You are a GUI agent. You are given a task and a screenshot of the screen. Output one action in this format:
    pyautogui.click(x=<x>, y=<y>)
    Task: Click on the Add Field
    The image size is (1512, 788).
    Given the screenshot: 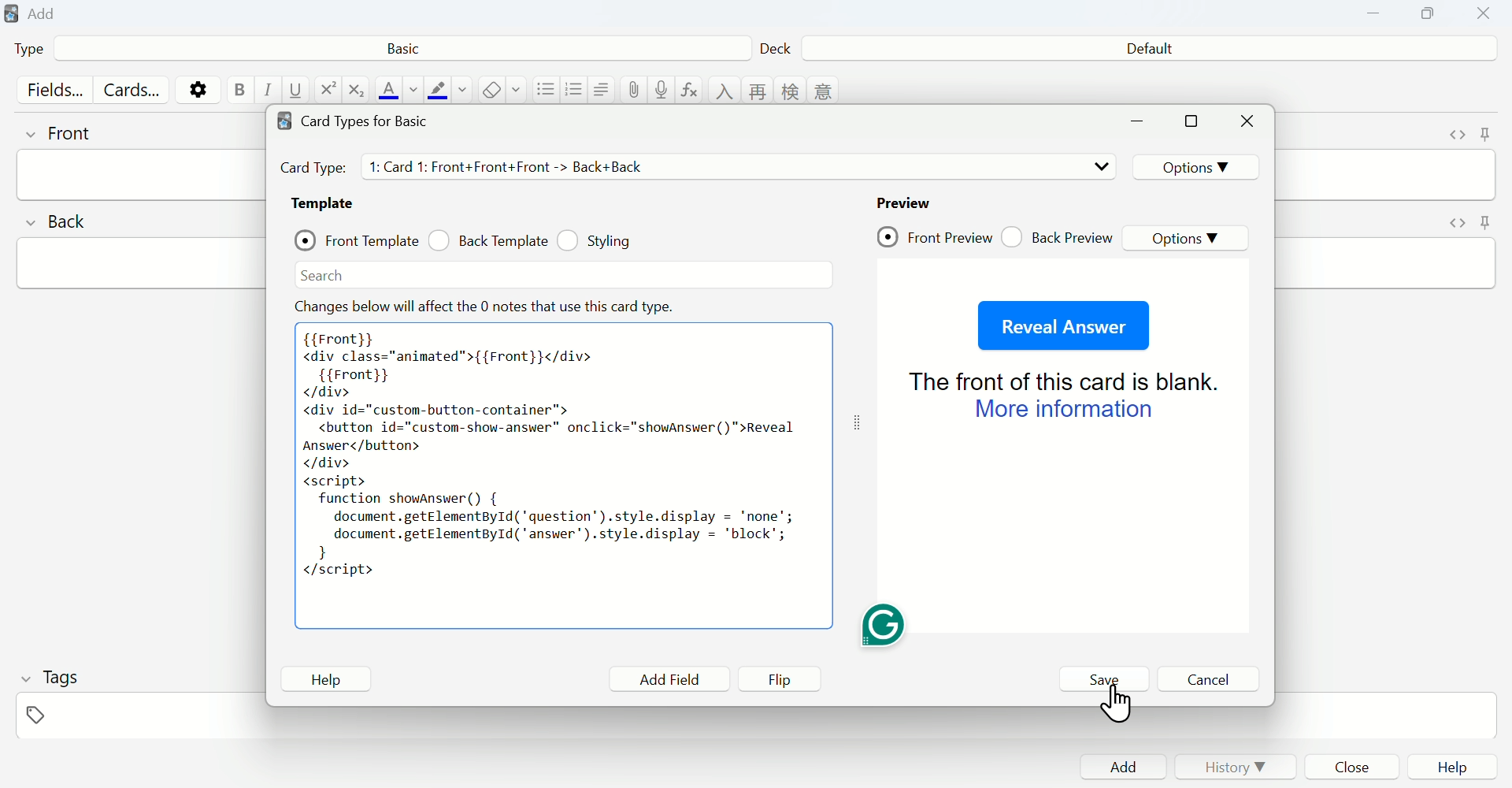 What is the action you would take?
    pyautogui.click(x=673, y=679)
    